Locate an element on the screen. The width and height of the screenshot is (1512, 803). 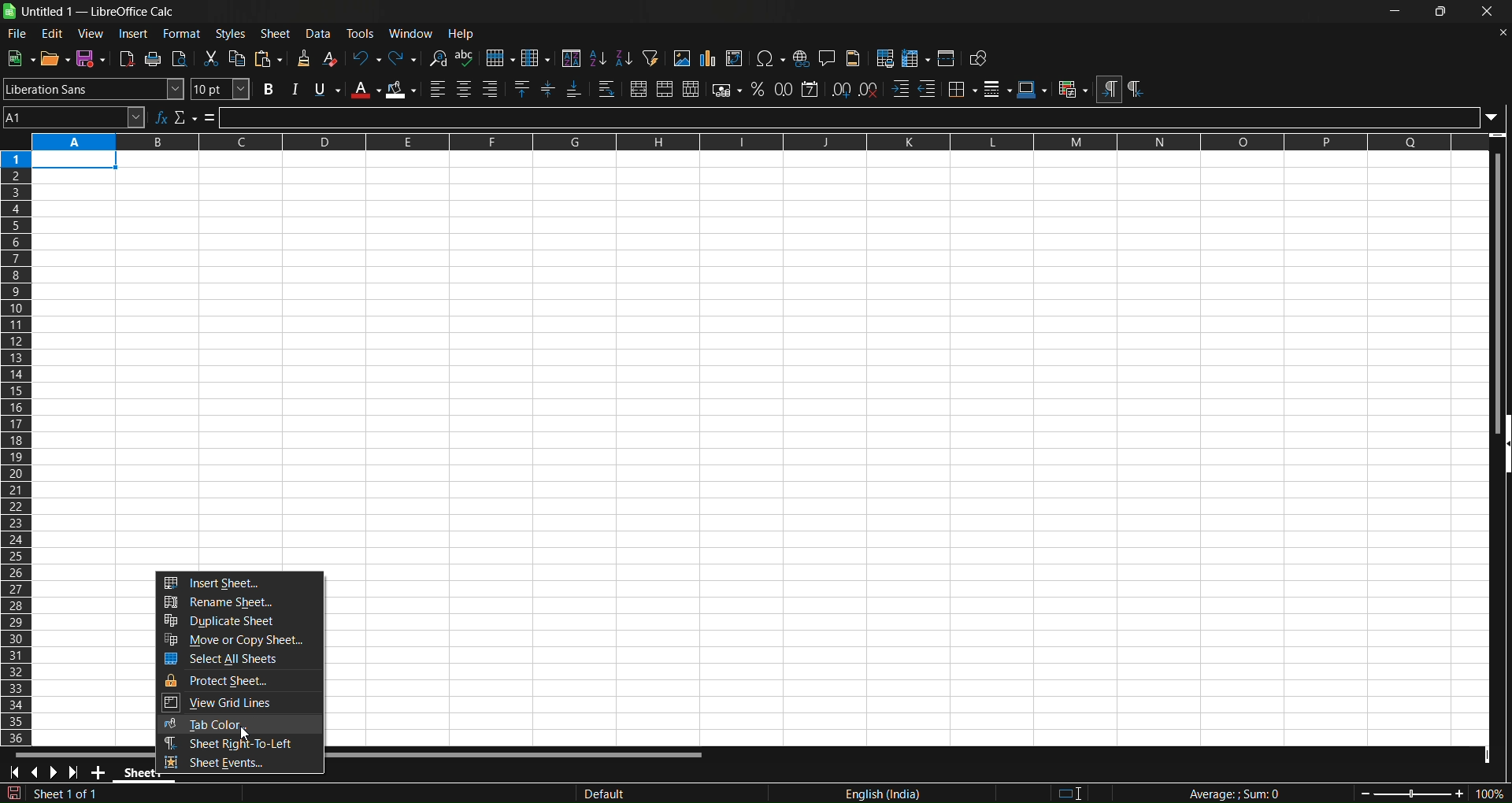
merge and center or unmerge cells depending on the current toggle state. is located at coordinates (639, 91).